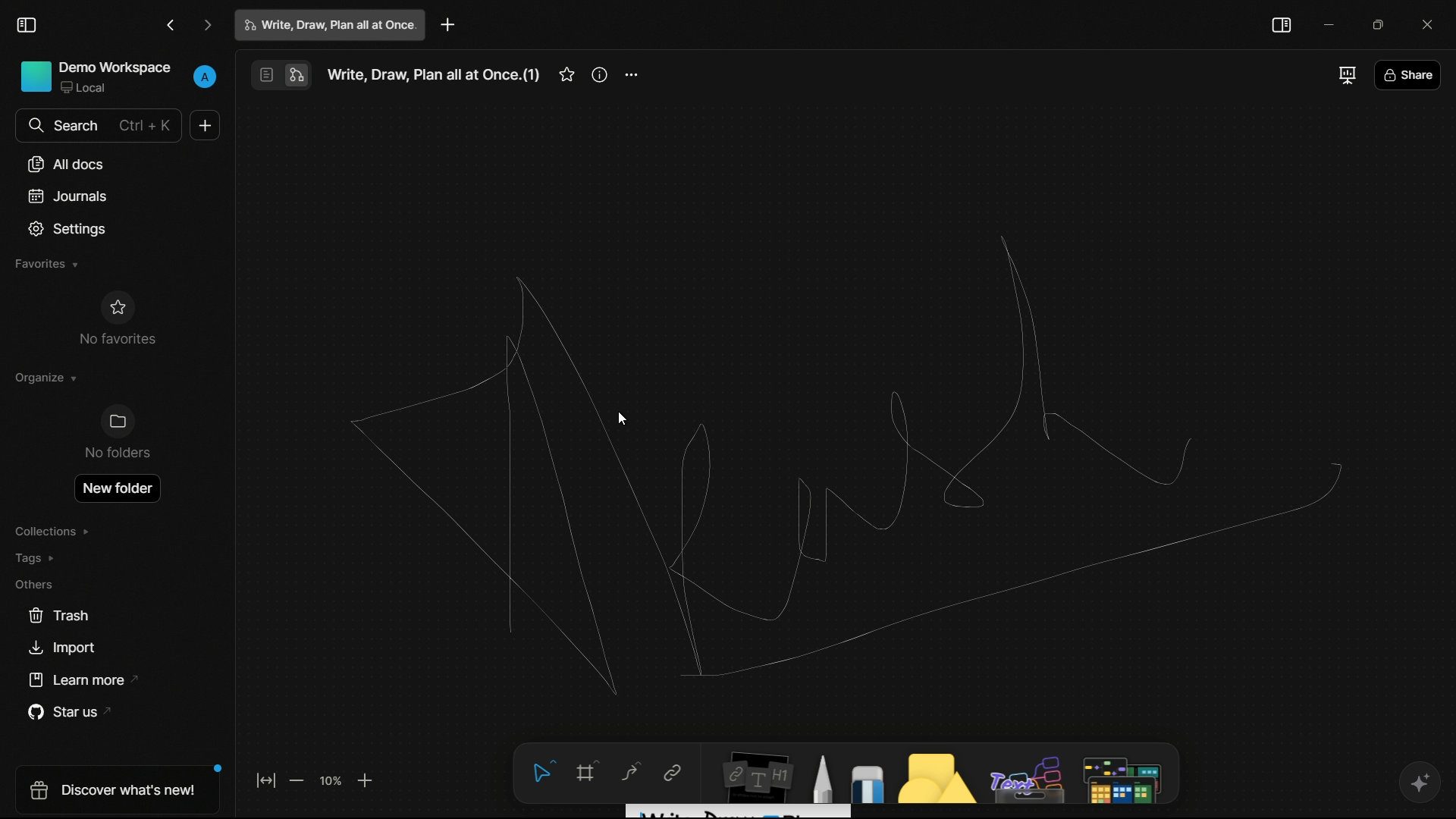  What do you see at coordinates (117, 307) in the screenshot?
I see `Icon` at bounding box center [117, 307].